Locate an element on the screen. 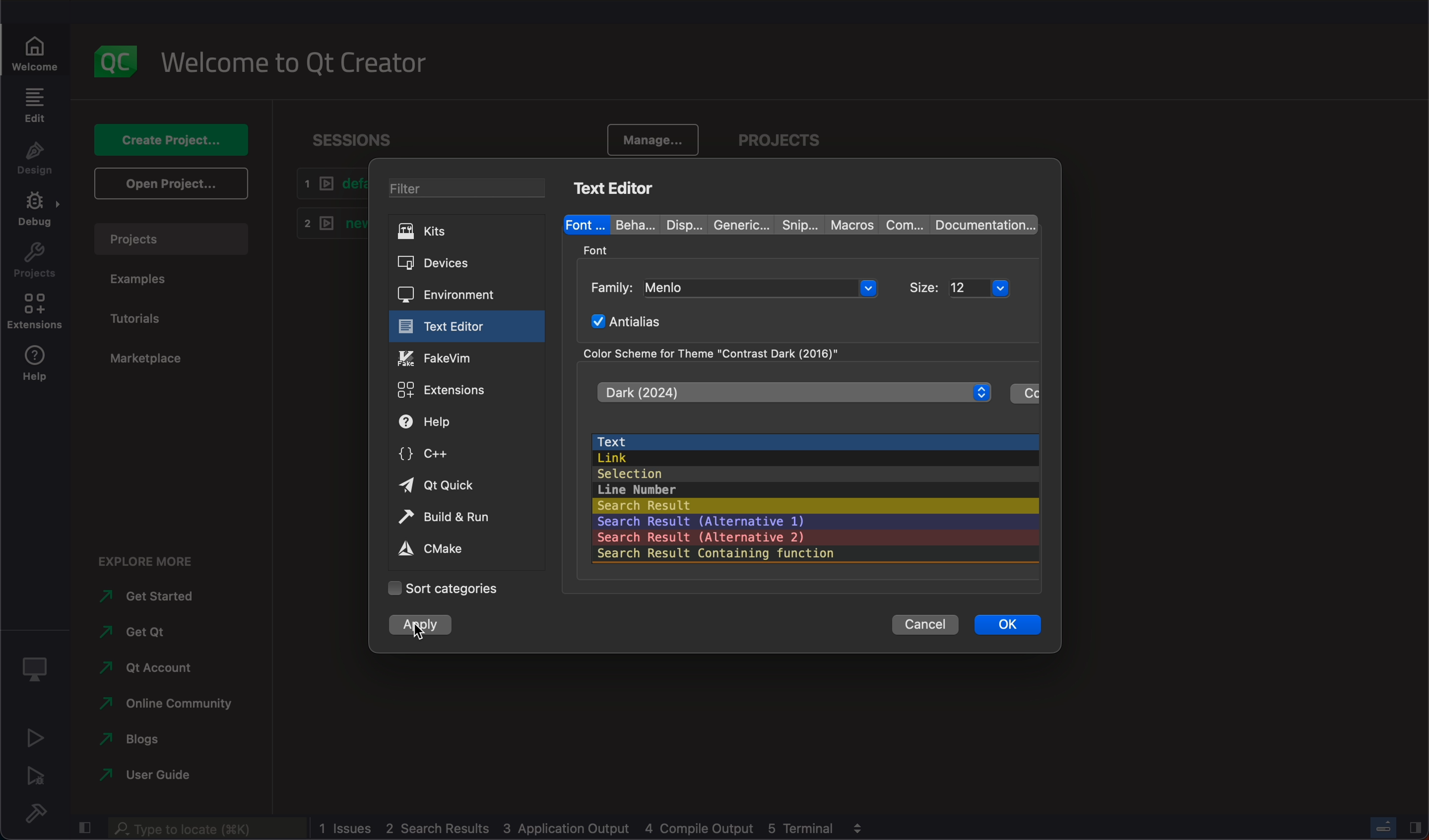  cancel is located at coordinates (927, 627).